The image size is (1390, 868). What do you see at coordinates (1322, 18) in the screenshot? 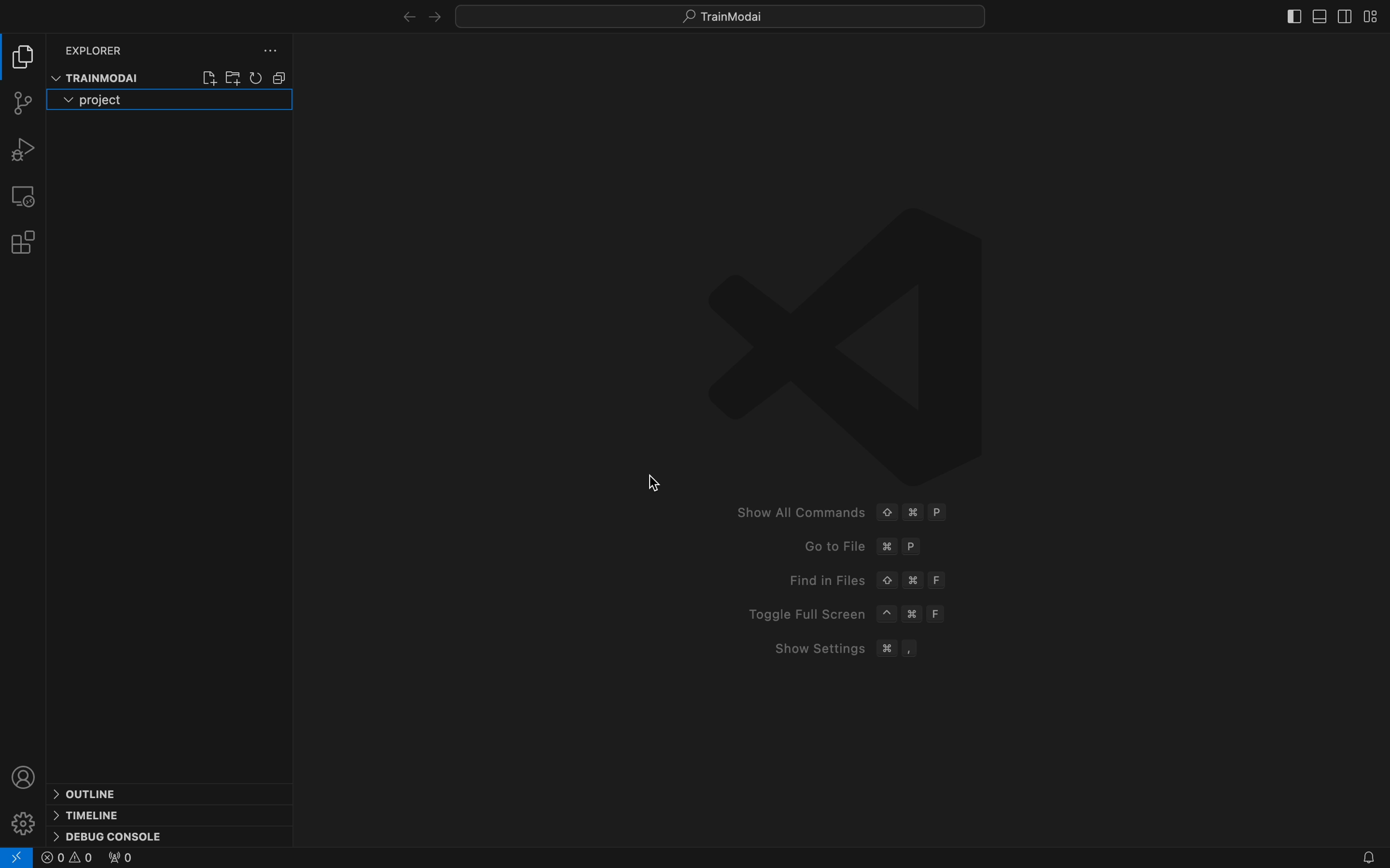
I see `toggle primary bar` at bounding box center [1322, 18].